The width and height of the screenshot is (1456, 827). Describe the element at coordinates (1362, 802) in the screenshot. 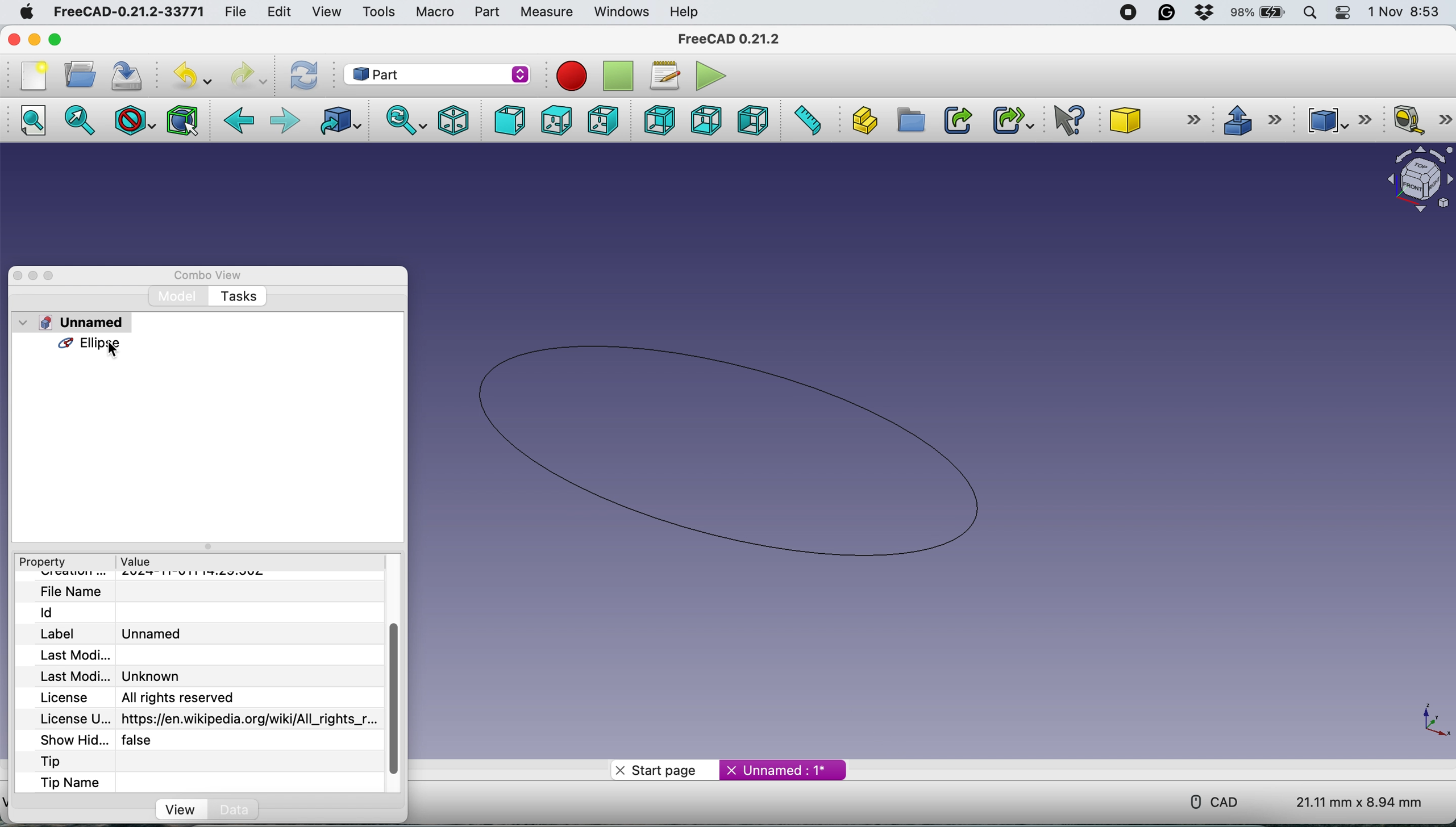

I see `dimension` at that location.